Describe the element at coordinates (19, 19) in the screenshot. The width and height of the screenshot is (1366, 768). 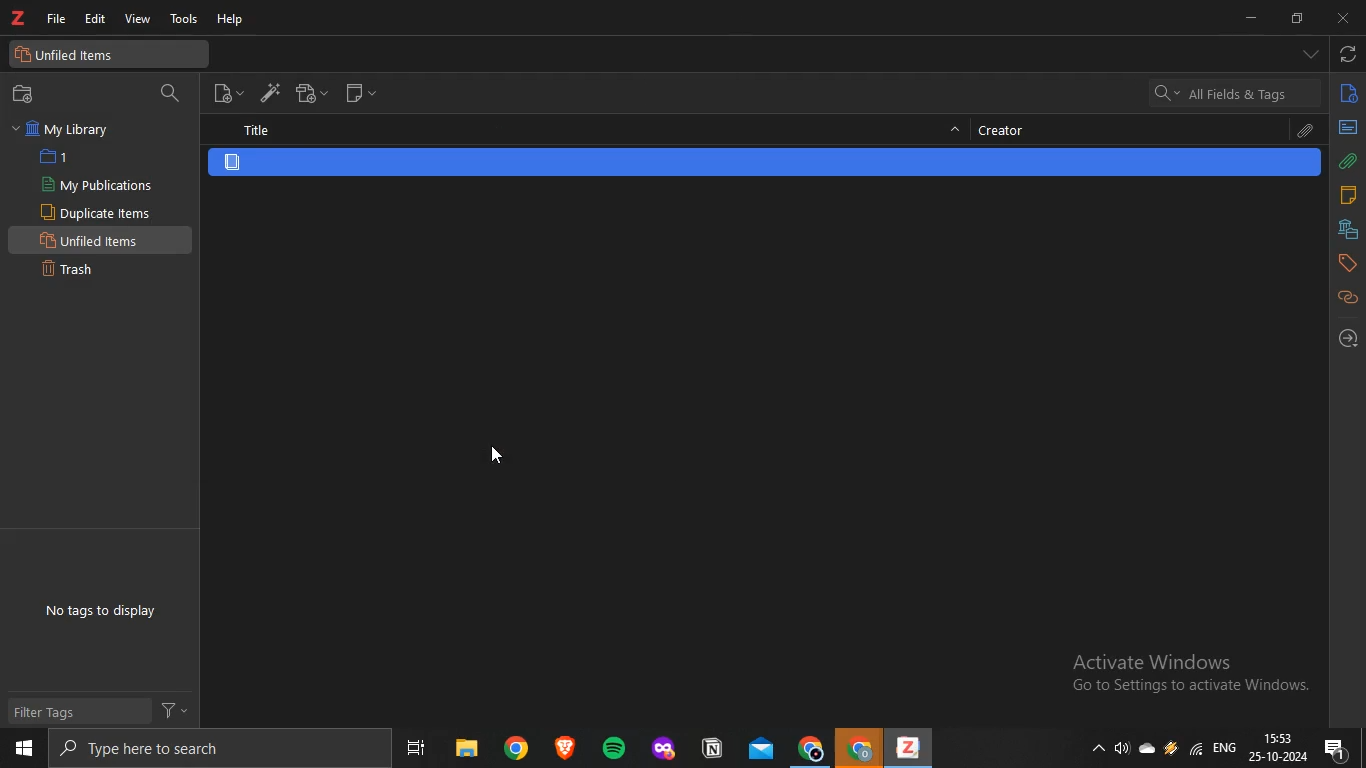
I see `zotero` at that location.